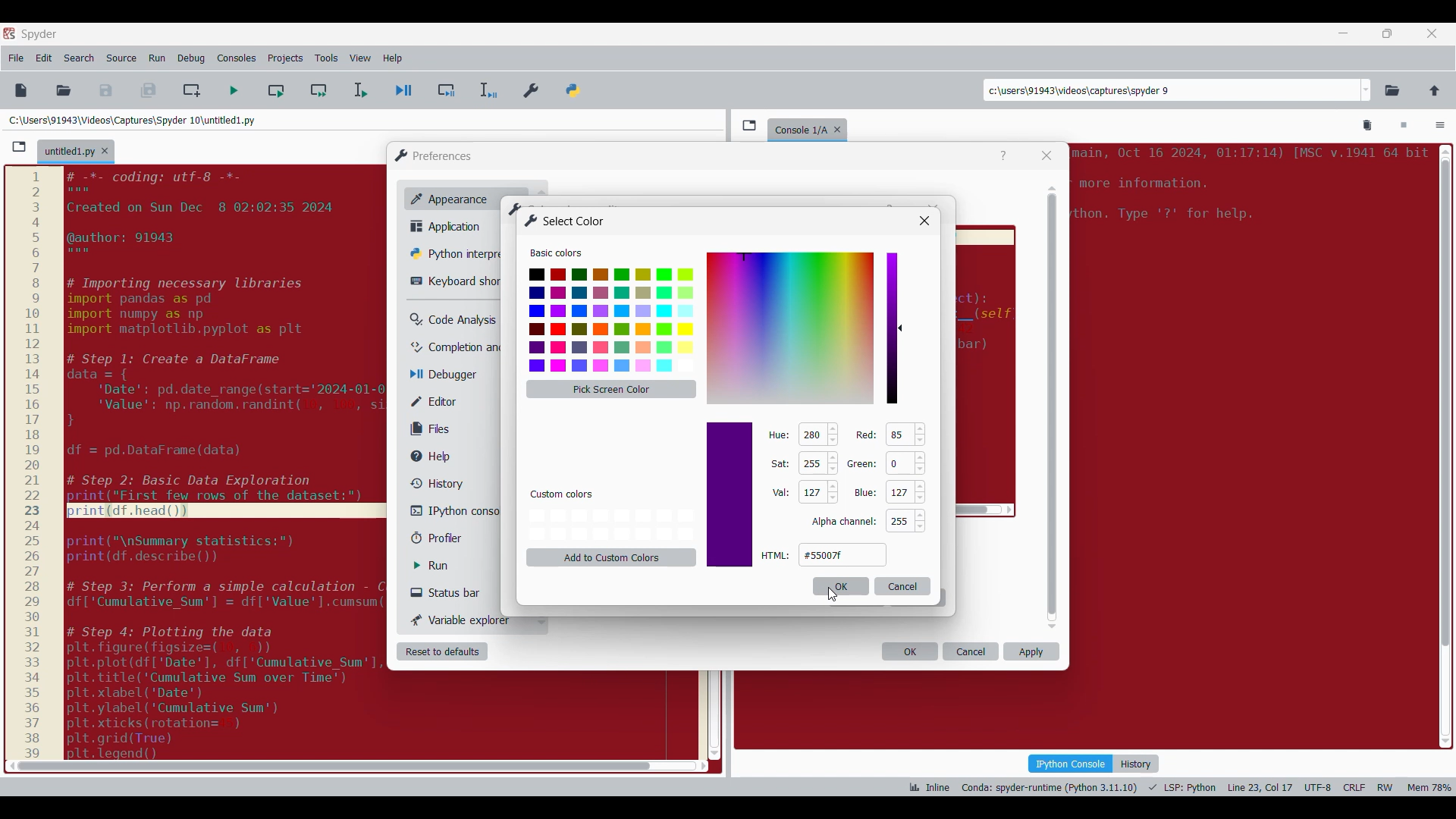 This screenshot has width=1456, height=819. Describe the element at coordinates (447, 90) in the screenshot. I see `Debug cell` at that location.